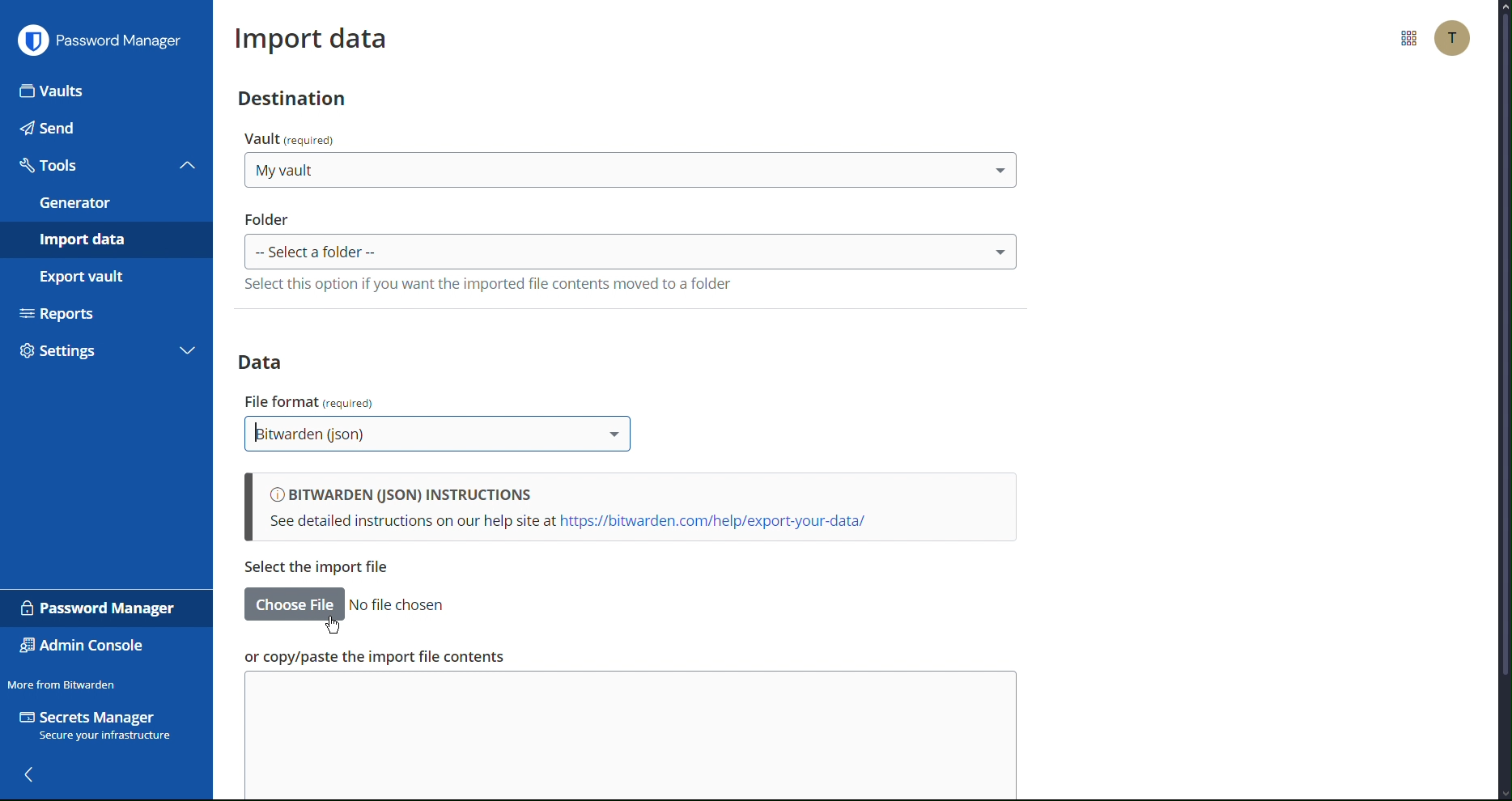 This screenshot has height=801, width=1512. Describe the element at coordinates (294, 138) in the screenshot. I see `vault` at that location.